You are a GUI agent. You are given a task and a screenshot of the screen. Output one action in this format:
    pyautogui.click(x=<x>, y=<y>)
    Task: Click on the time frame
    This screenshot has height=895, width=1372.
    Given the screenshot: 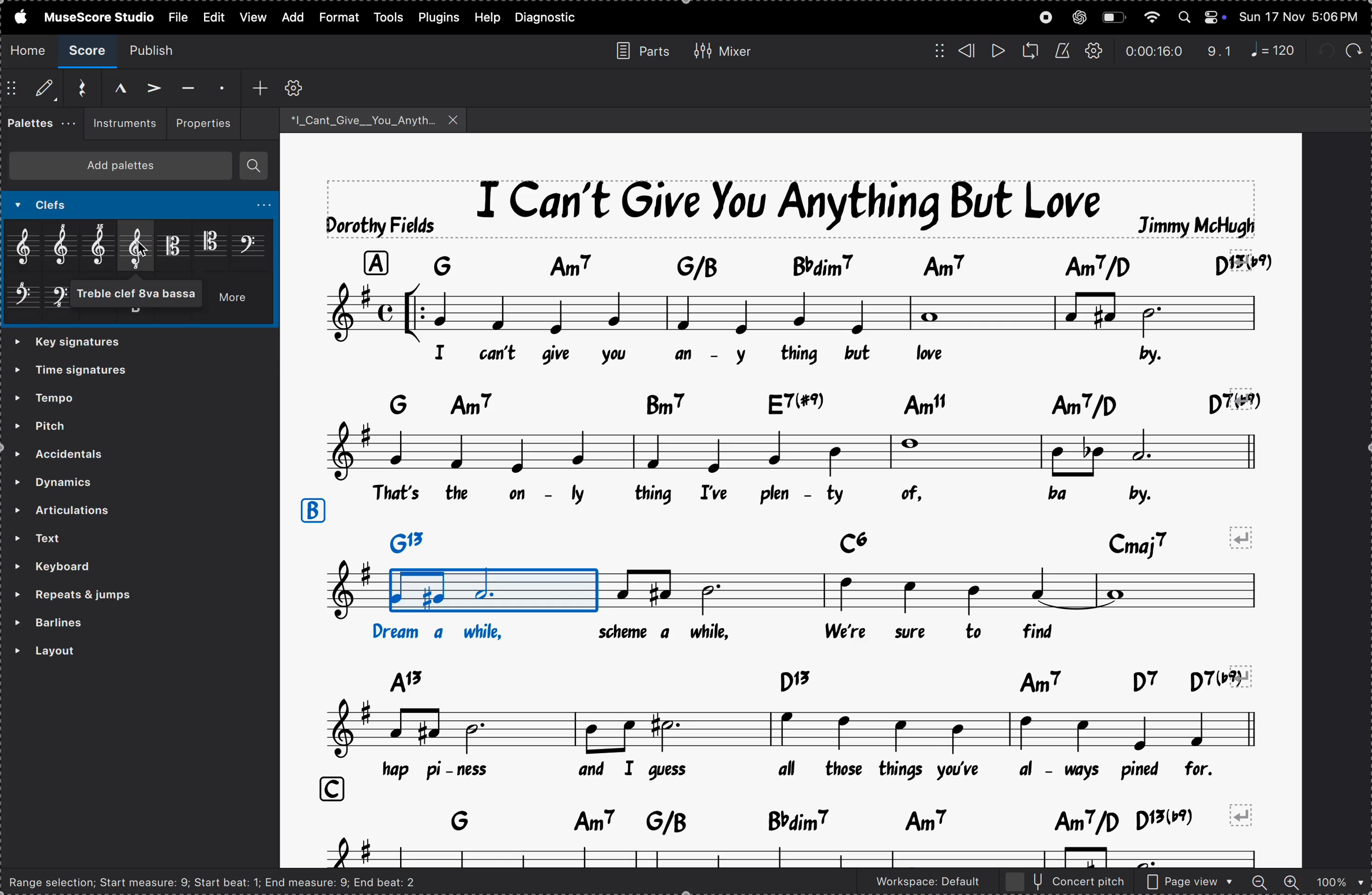 What is the action you would take?
    pyautogui.click(x=1154, y=51)
    